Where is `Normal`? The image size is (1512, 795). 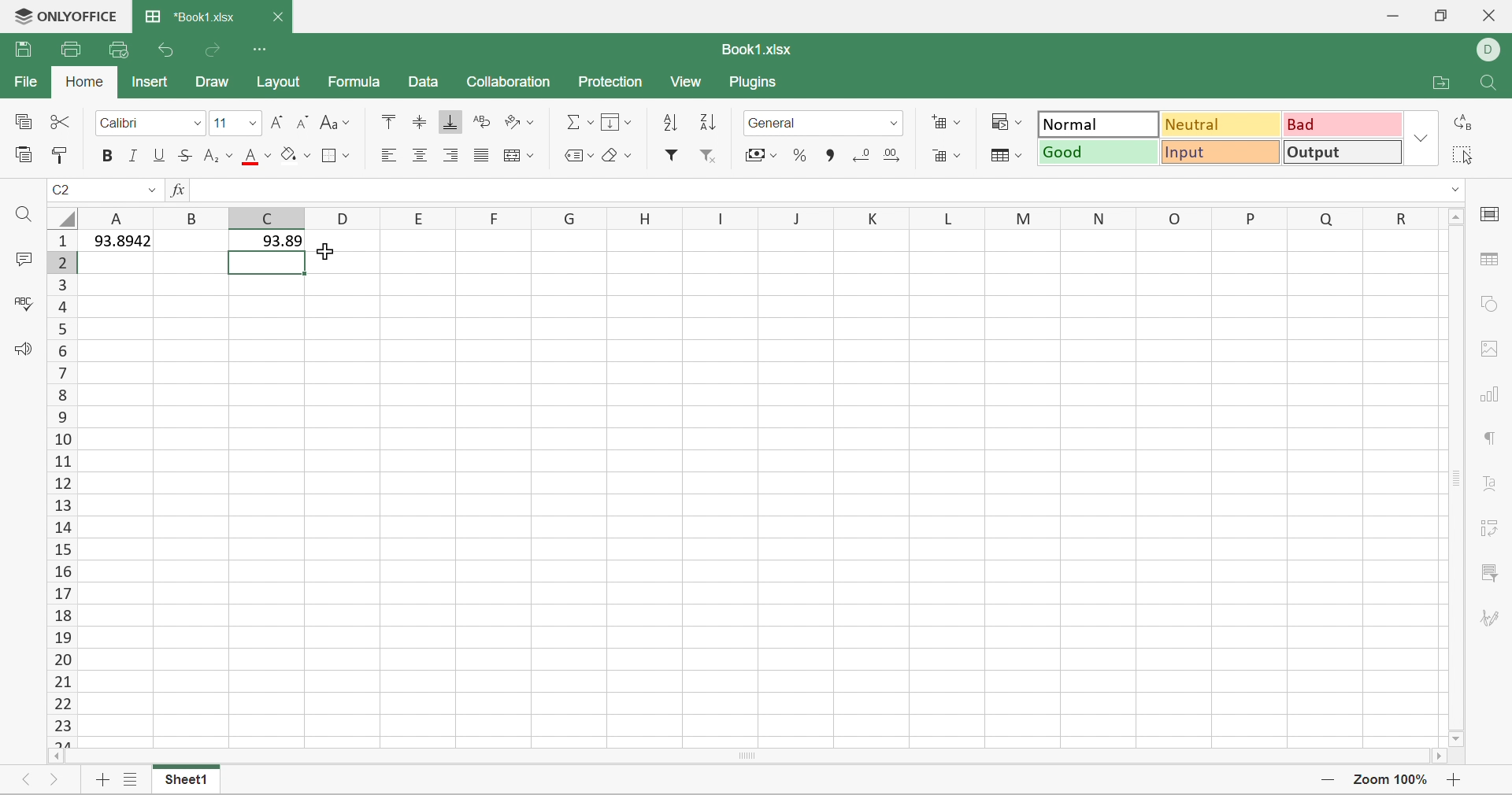 Normal is located at coordinates (1097, 124).